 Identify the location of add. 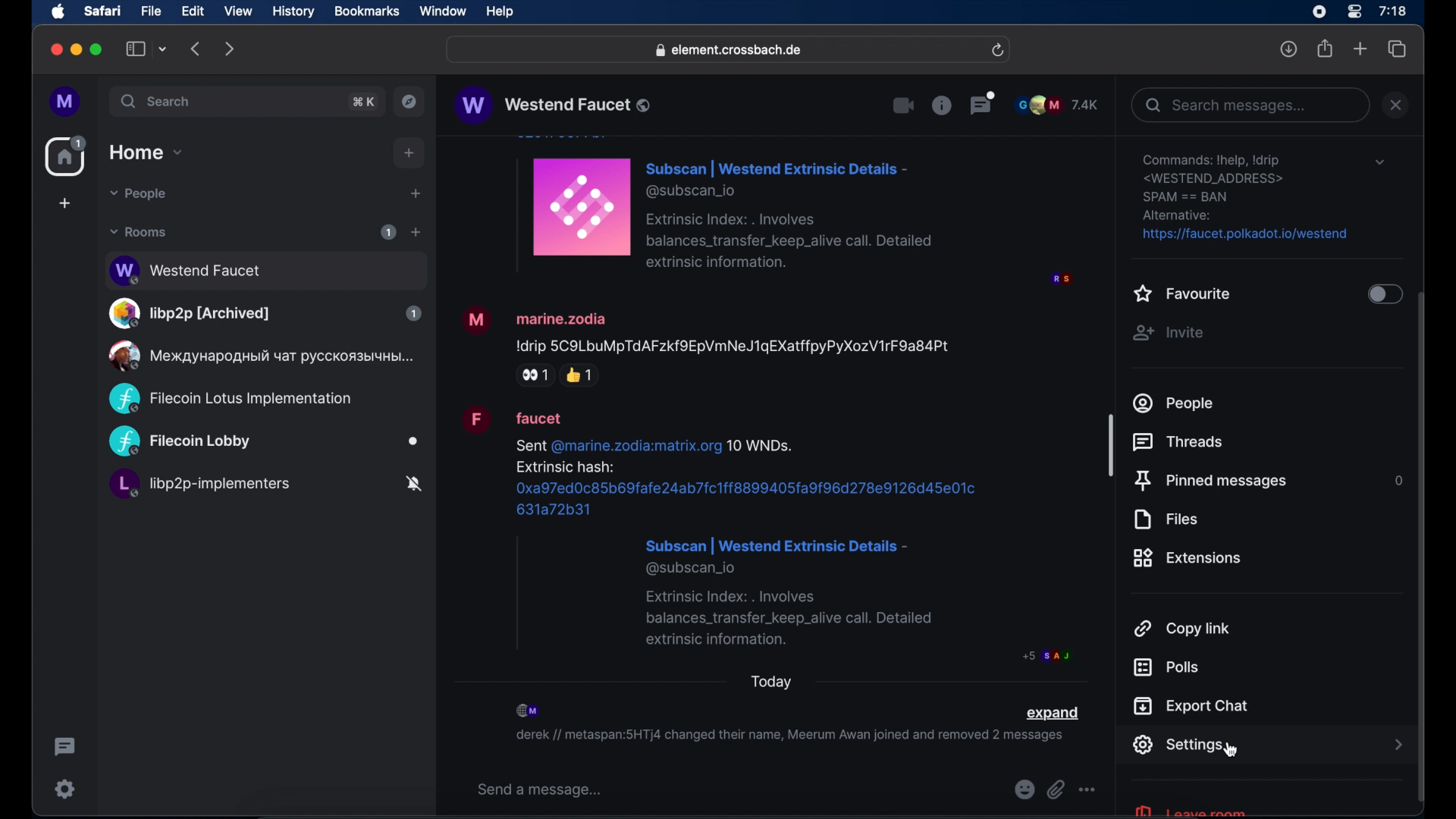
(409, 153).